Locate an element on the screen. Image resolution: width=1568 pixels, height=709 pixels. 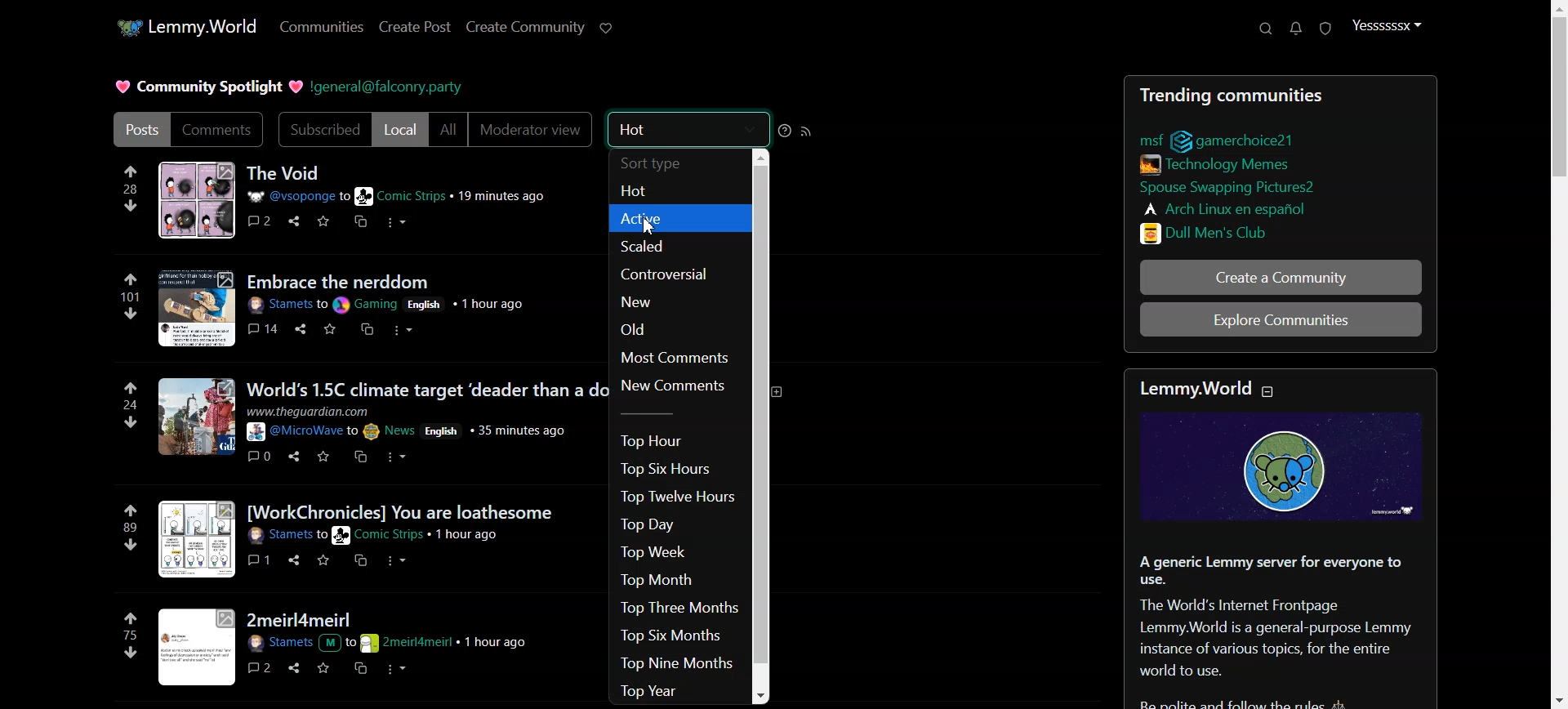
Explore Community is located at coordinates (1281, 319).